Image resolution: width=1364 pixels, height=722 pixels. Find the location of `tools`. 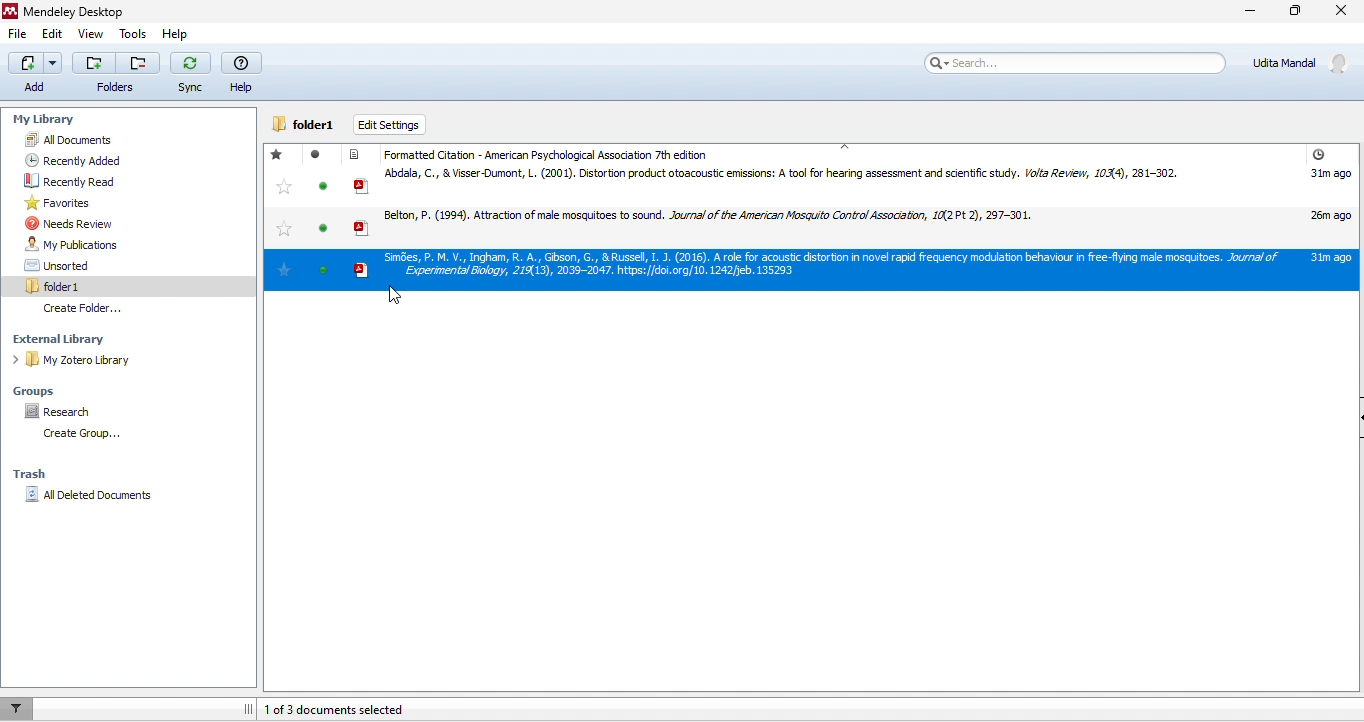

tools is located at coordinates (131, 34).